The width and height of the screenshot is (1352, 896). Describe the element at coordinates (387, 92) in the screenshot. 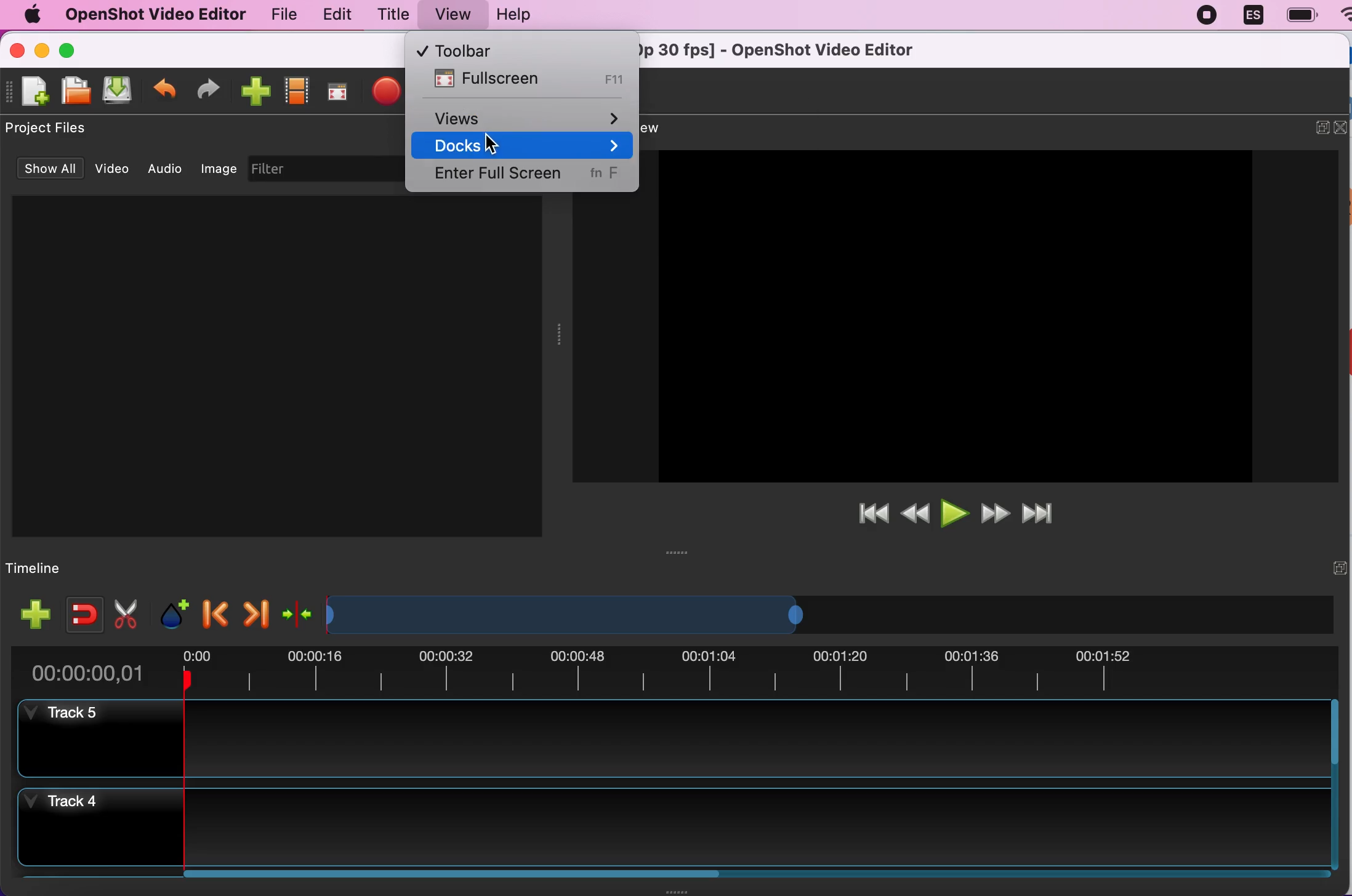

I see `export file` at that location.